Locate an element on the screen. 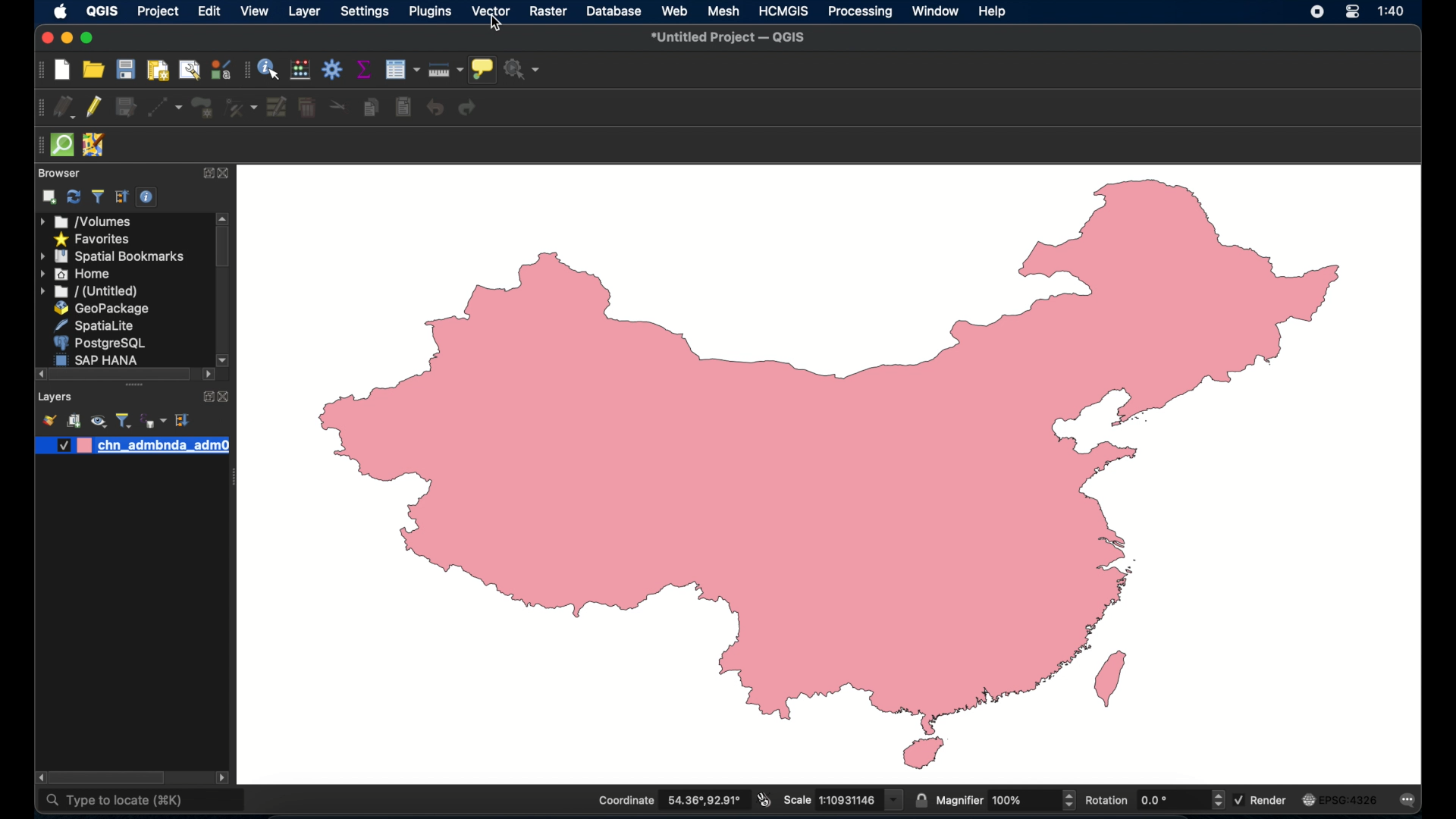 The width and height of the screenshot is (1456, 819). spatial bookmarks is located at coordinates (113, 257).